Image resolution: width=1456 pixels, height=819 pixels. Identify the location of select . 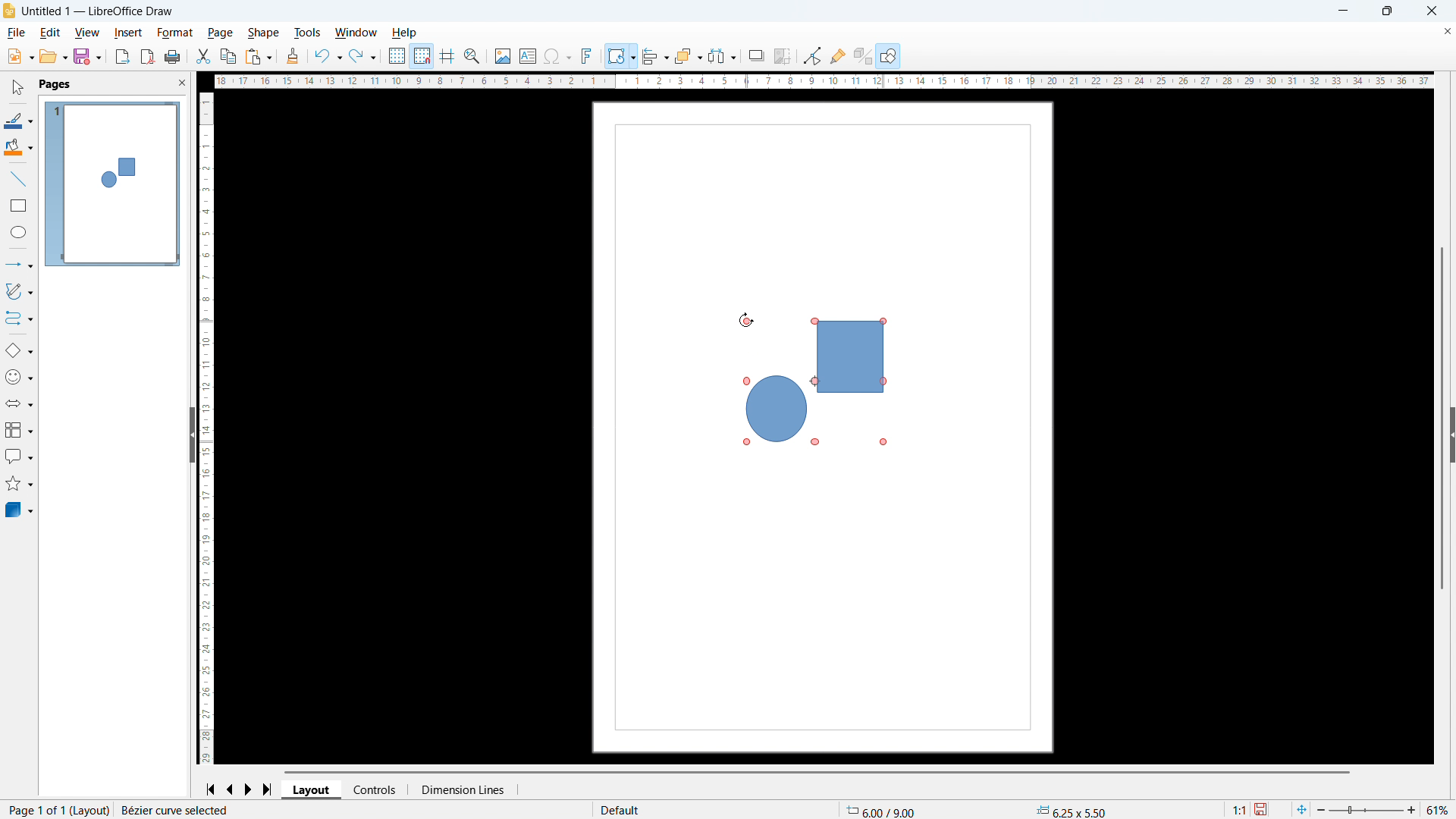
(19, 88).